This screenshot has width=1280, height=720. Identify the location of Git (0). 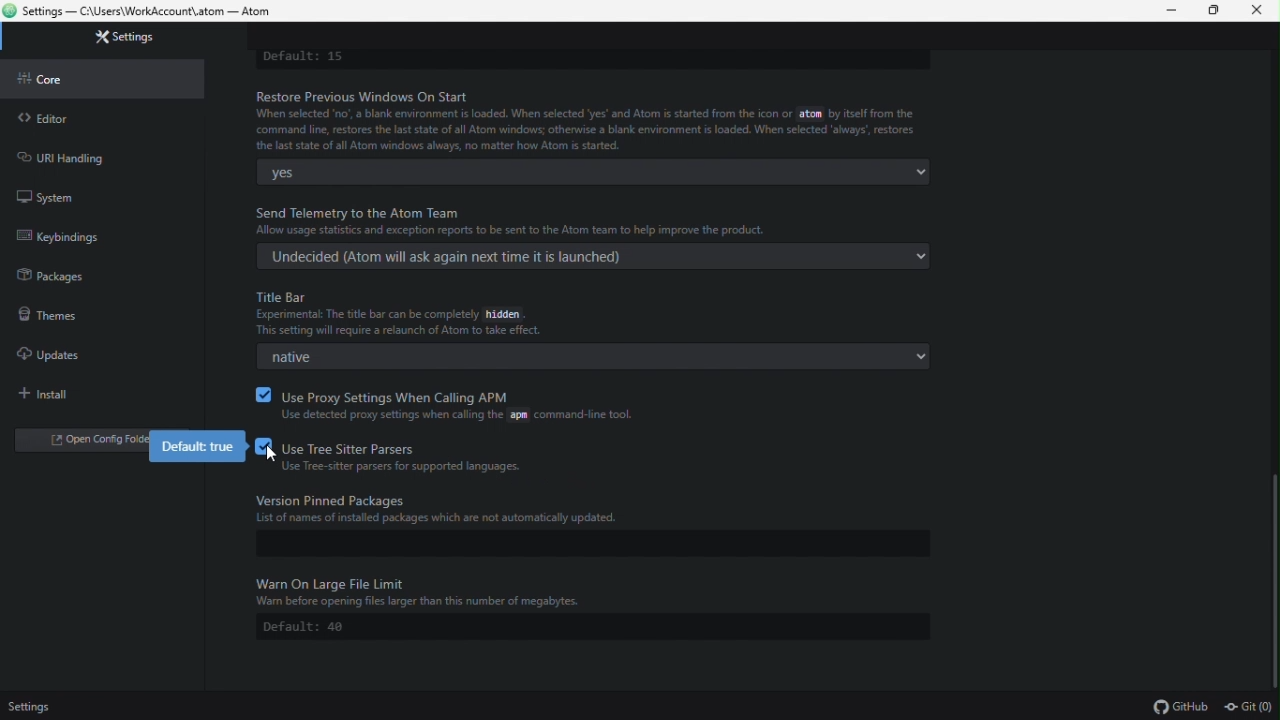
(1245, 707).